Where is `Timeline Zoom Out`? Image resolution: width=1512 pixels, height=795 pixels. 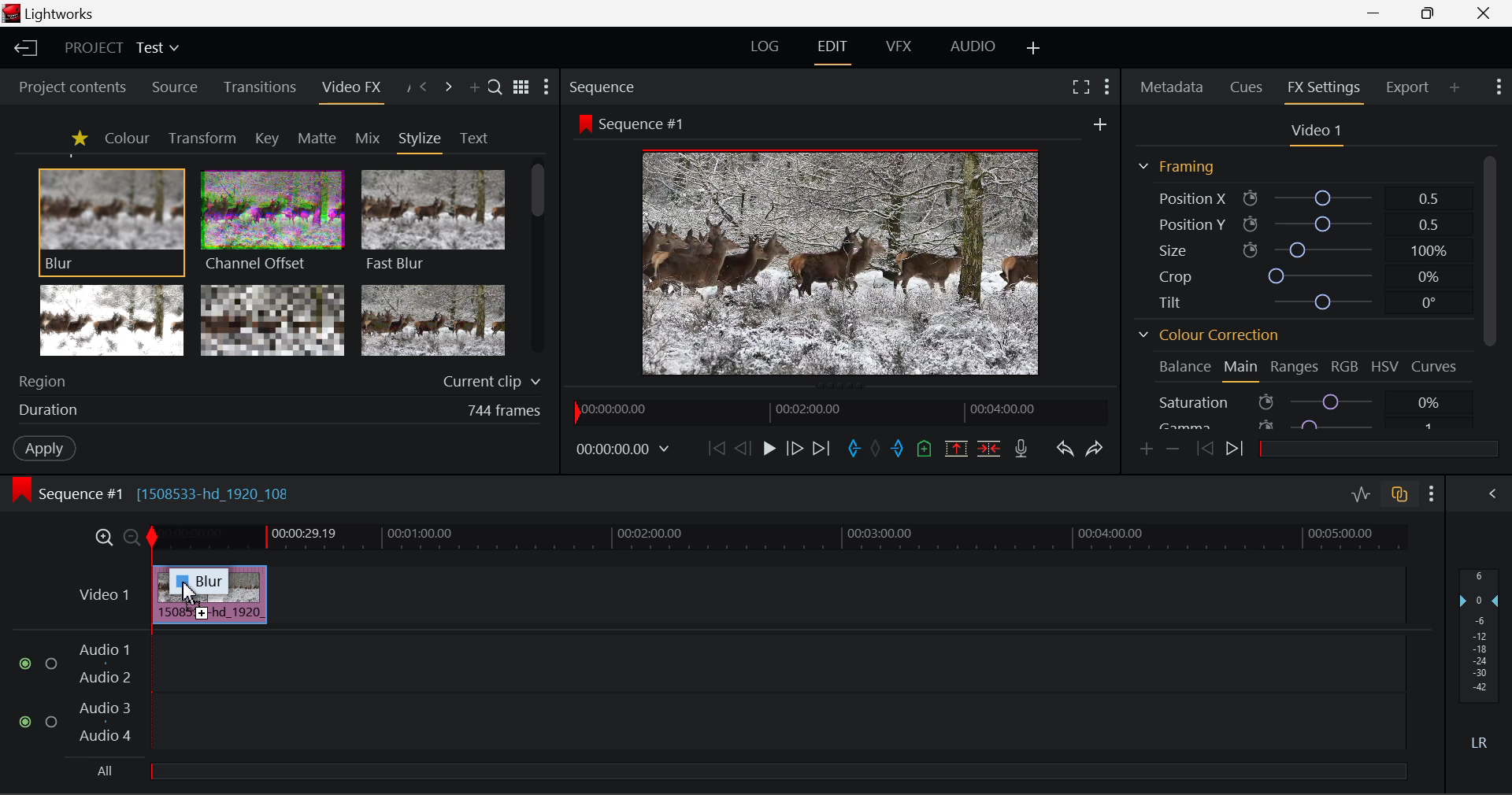
Timeline Zoom Out is located at coordinates (131, 536).